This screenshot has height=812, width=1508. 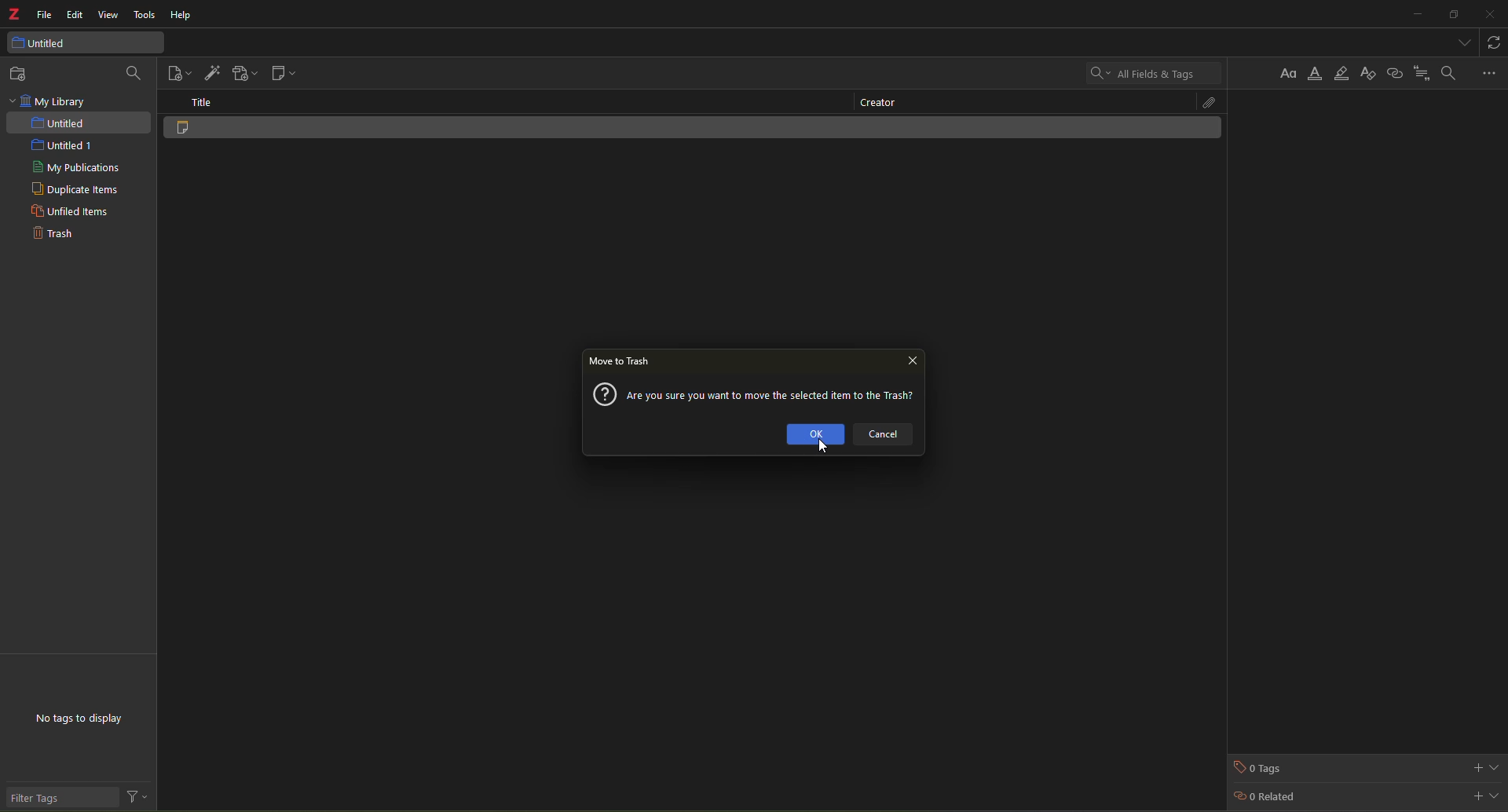 I want to click on new item, so click(x=178, y=74).